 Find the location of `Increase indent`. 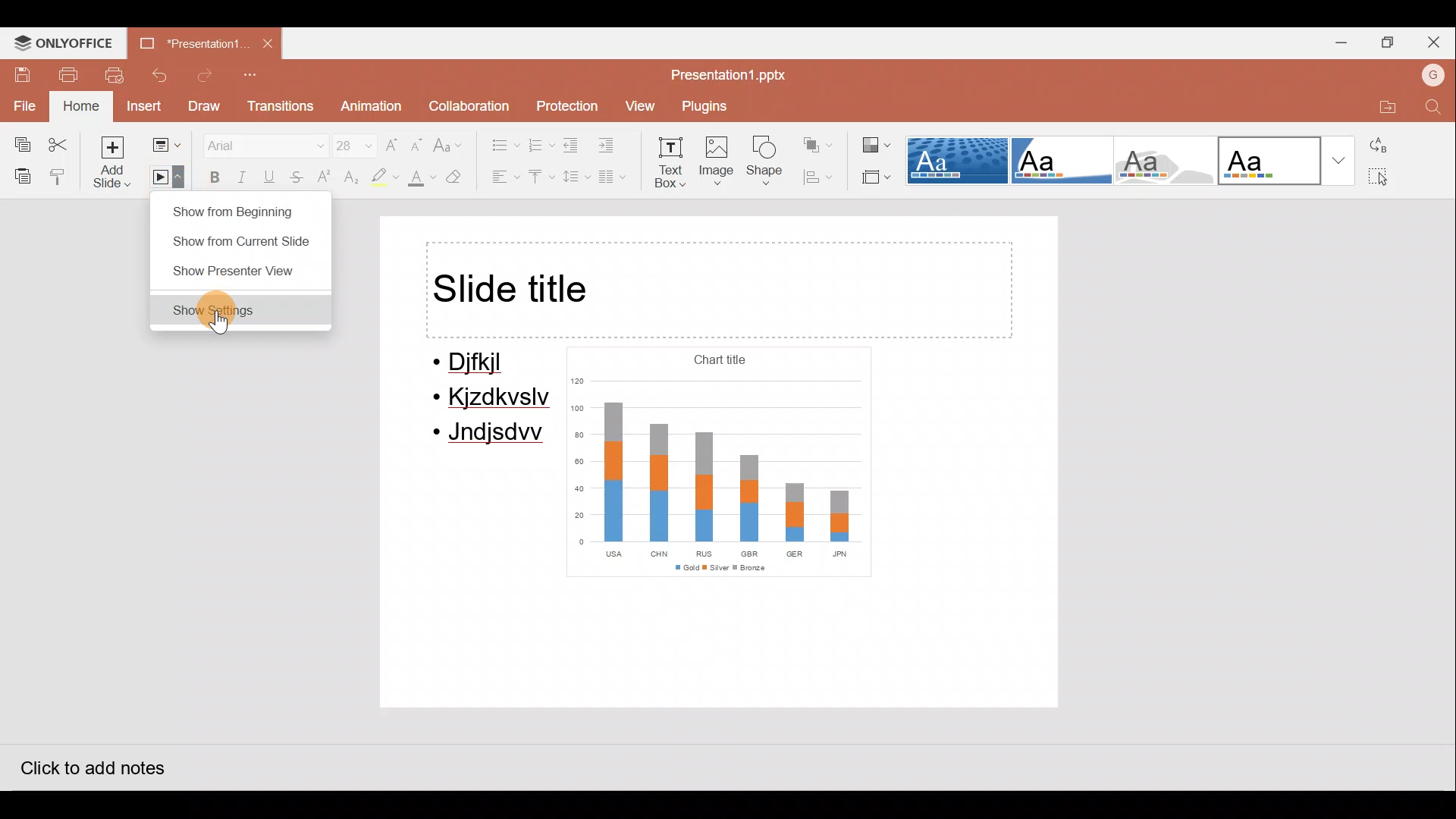

Increase indent is located at coordinates (613, 143).